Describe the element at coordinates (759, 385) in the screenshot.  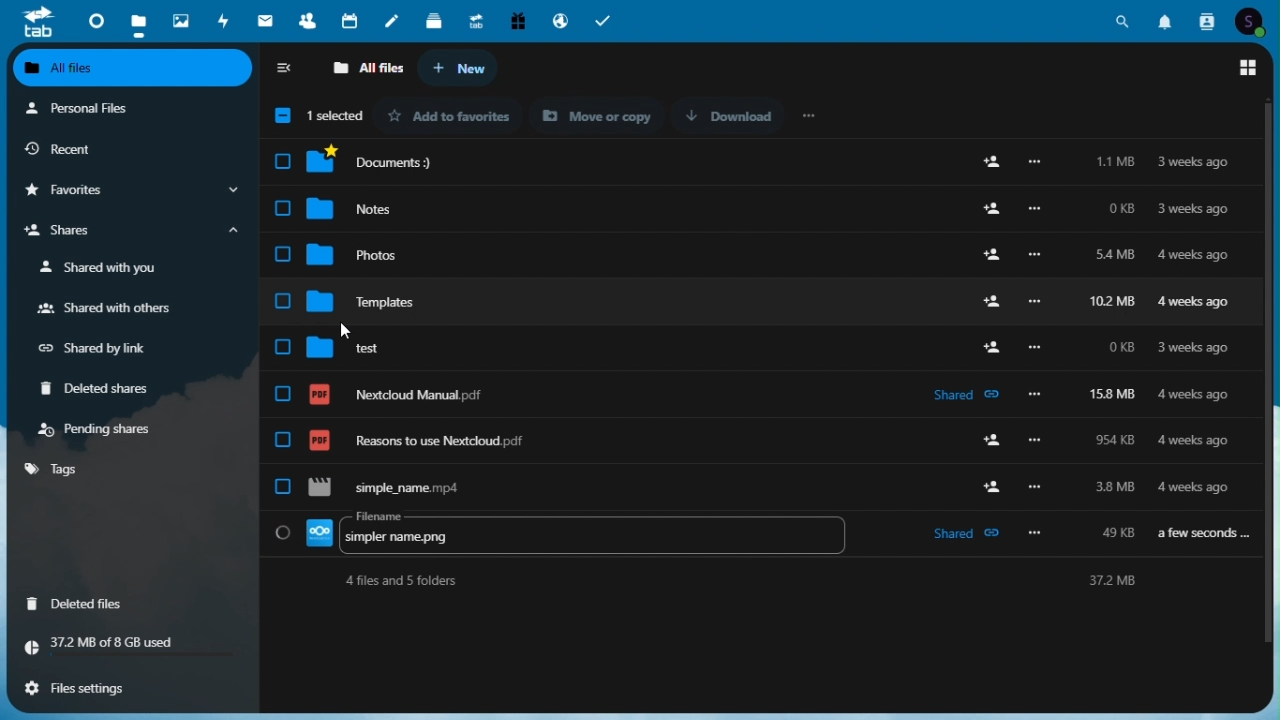
I see `NextcloudManual.pdf 158 MB 4 weeks ago` at that location.